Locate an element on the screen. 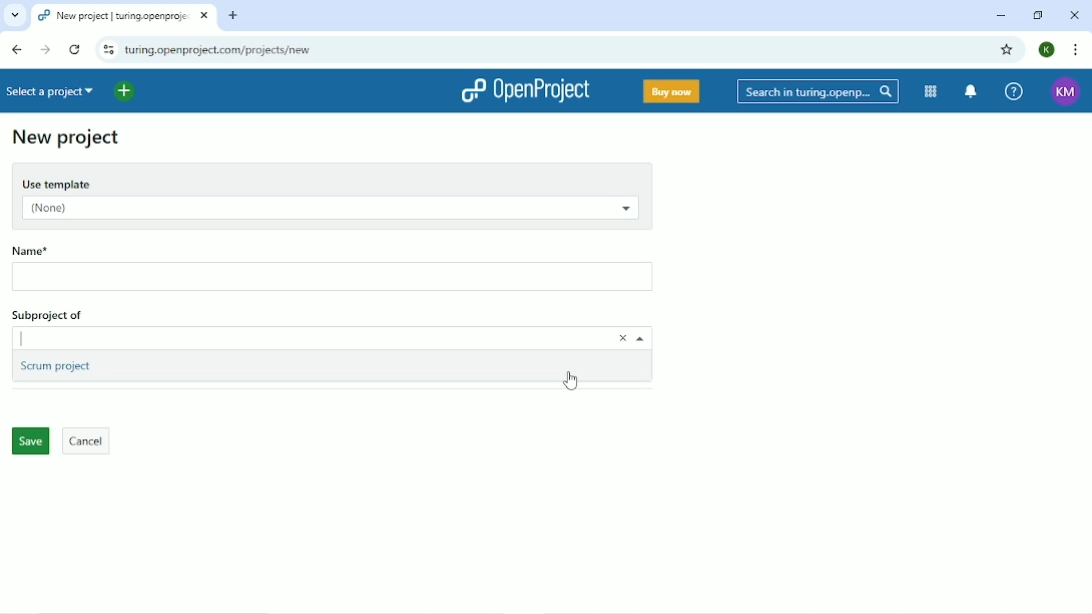 Image resolution: width=1092 pixels, height=614 pixels. projects | turing.openproject.com is located at coordinates (112, 15).